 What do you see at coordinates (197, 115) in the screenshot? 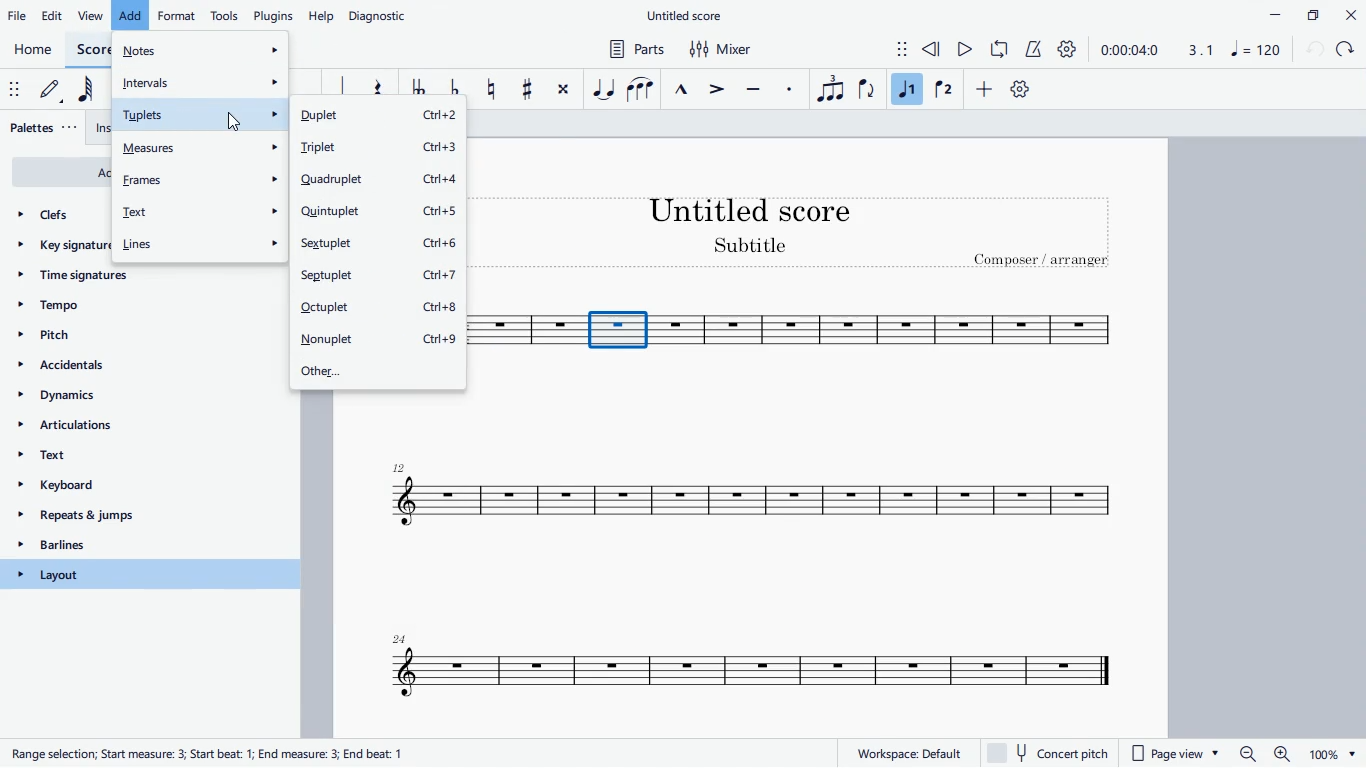
I see `tuplets` at bounding box center [197, 115].